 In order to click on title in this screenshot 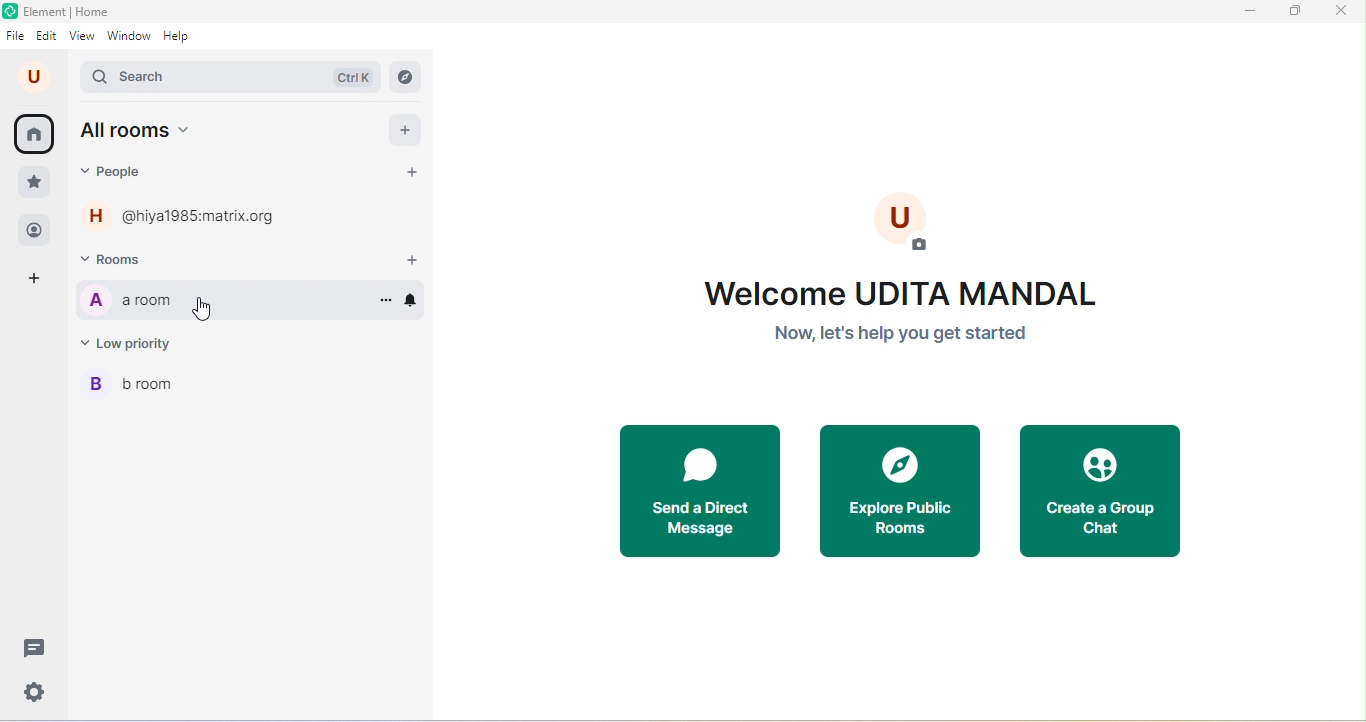, I will do `click(59, 12)`.